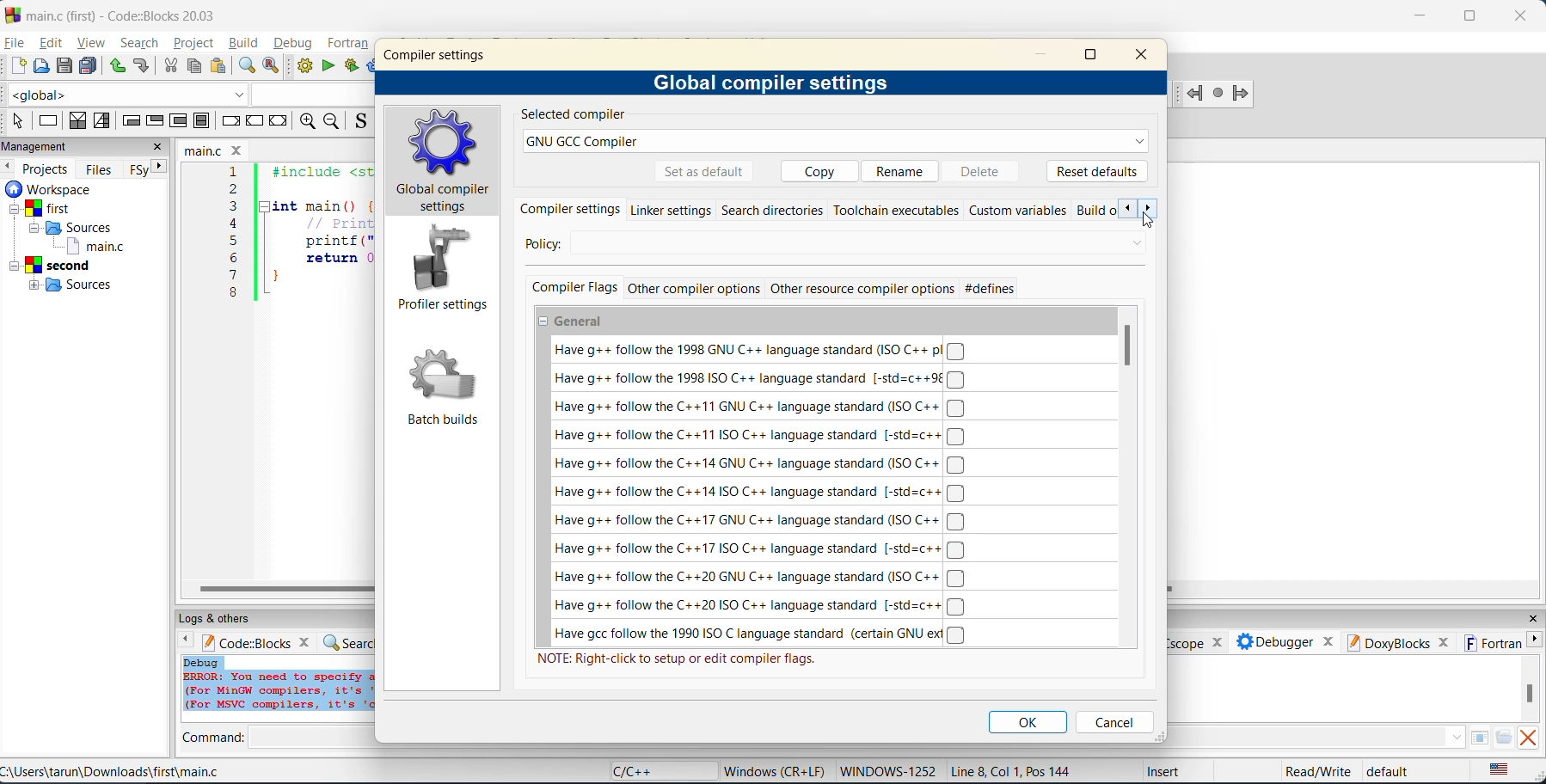 This screenshot has width=1546, height=784. What do you see at coordinates (194, 43) in the screenshot?
I see `project` at bounding box center [194, 43].